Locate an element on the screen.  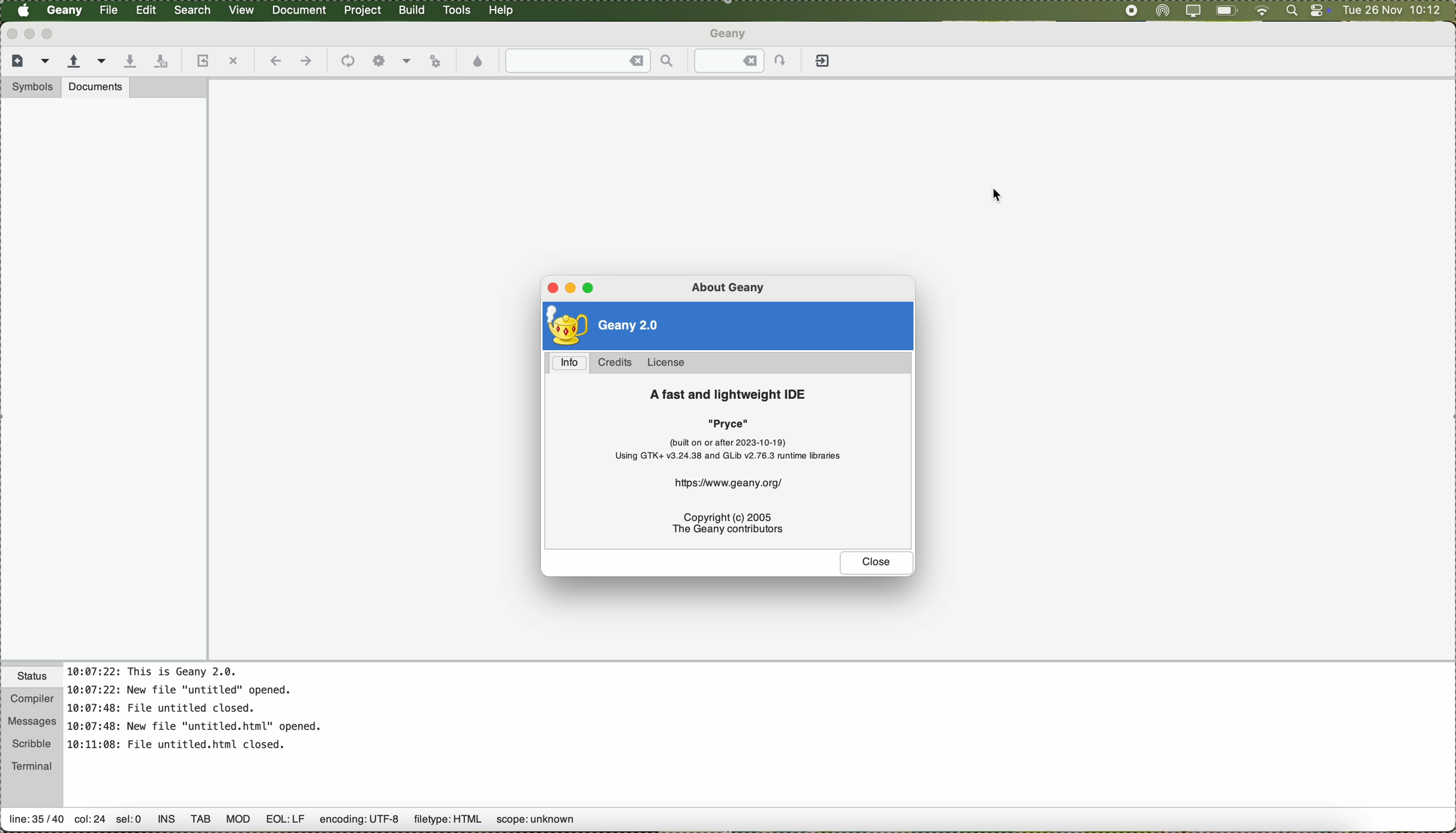
license is located at coordinates (670, 362).